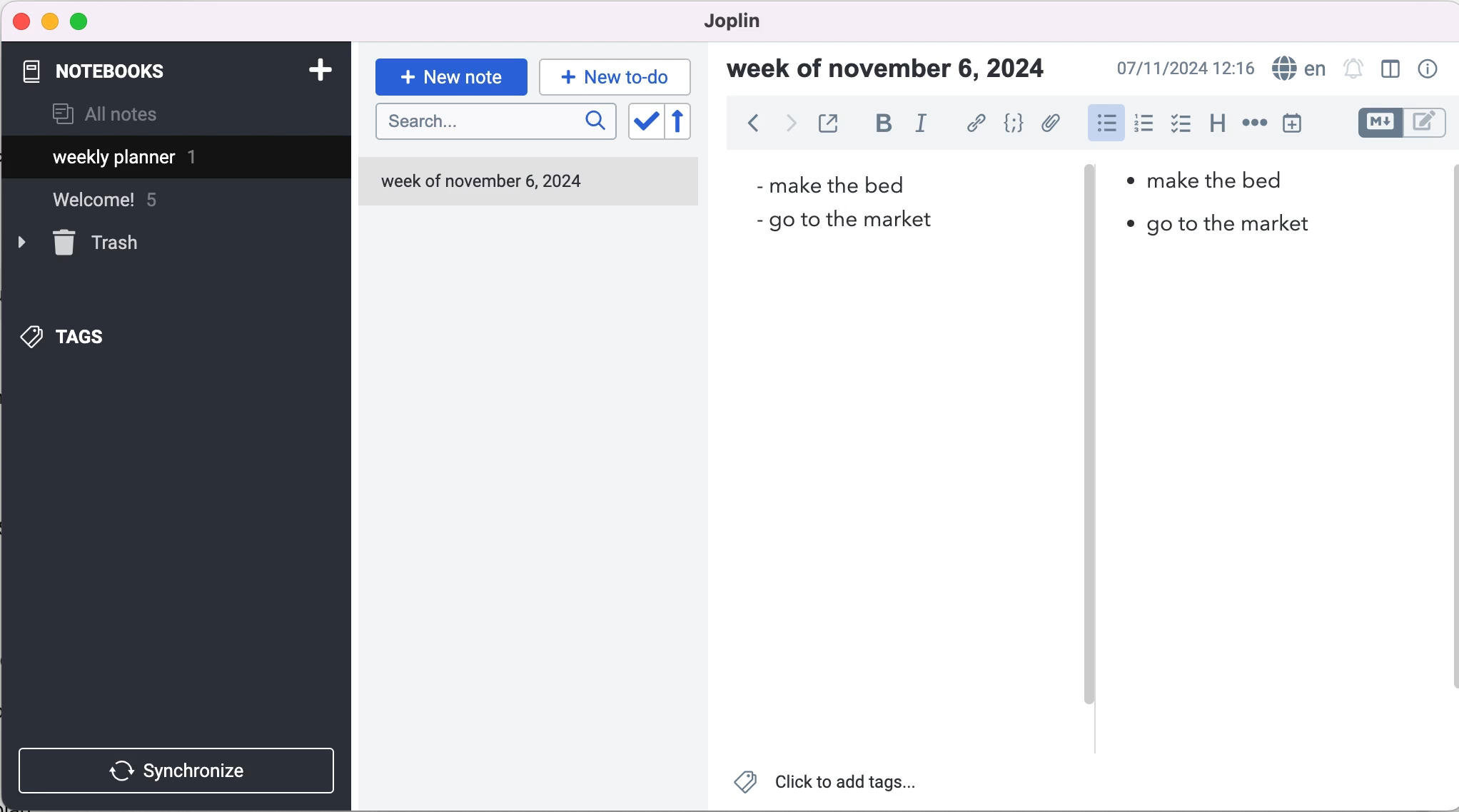 The width and height of the screenshot is (1459, 812). Describe the element at coordinates (451, 76) in the screenshot. I see `new note` at that location.